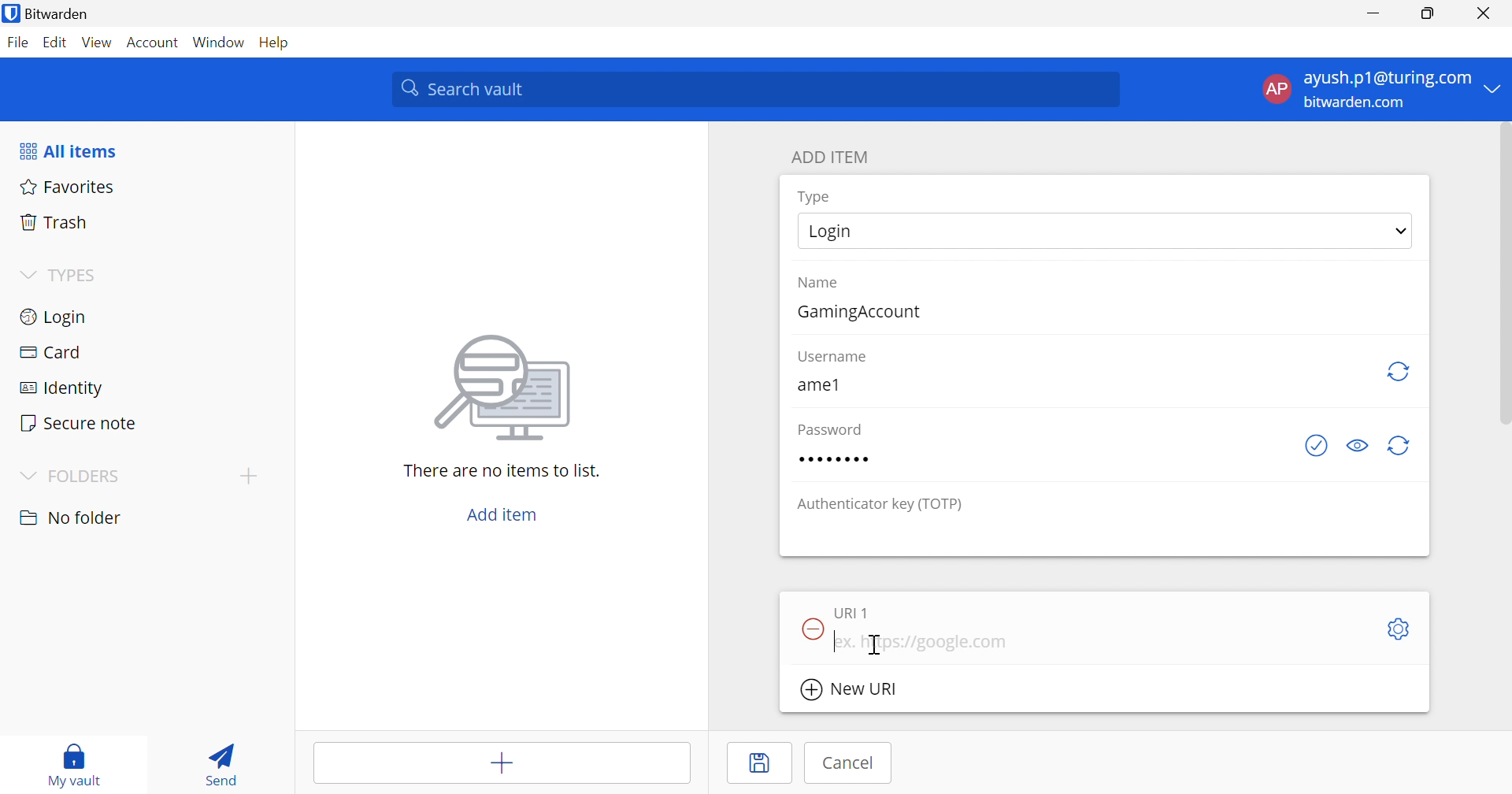  Describe the element at coordinates (502, 473) in the screenshot. I see `There are no items to list.` at that location.